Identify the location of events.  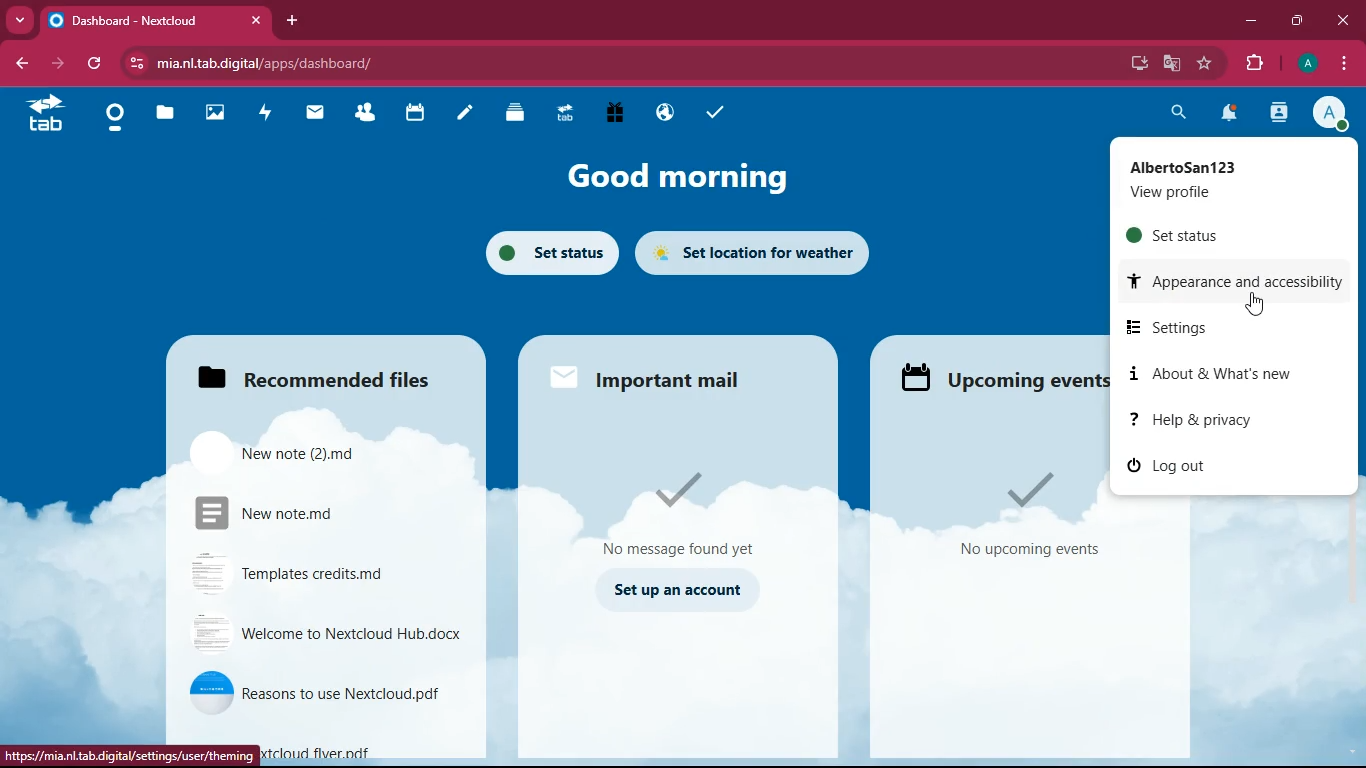
(998, 376).